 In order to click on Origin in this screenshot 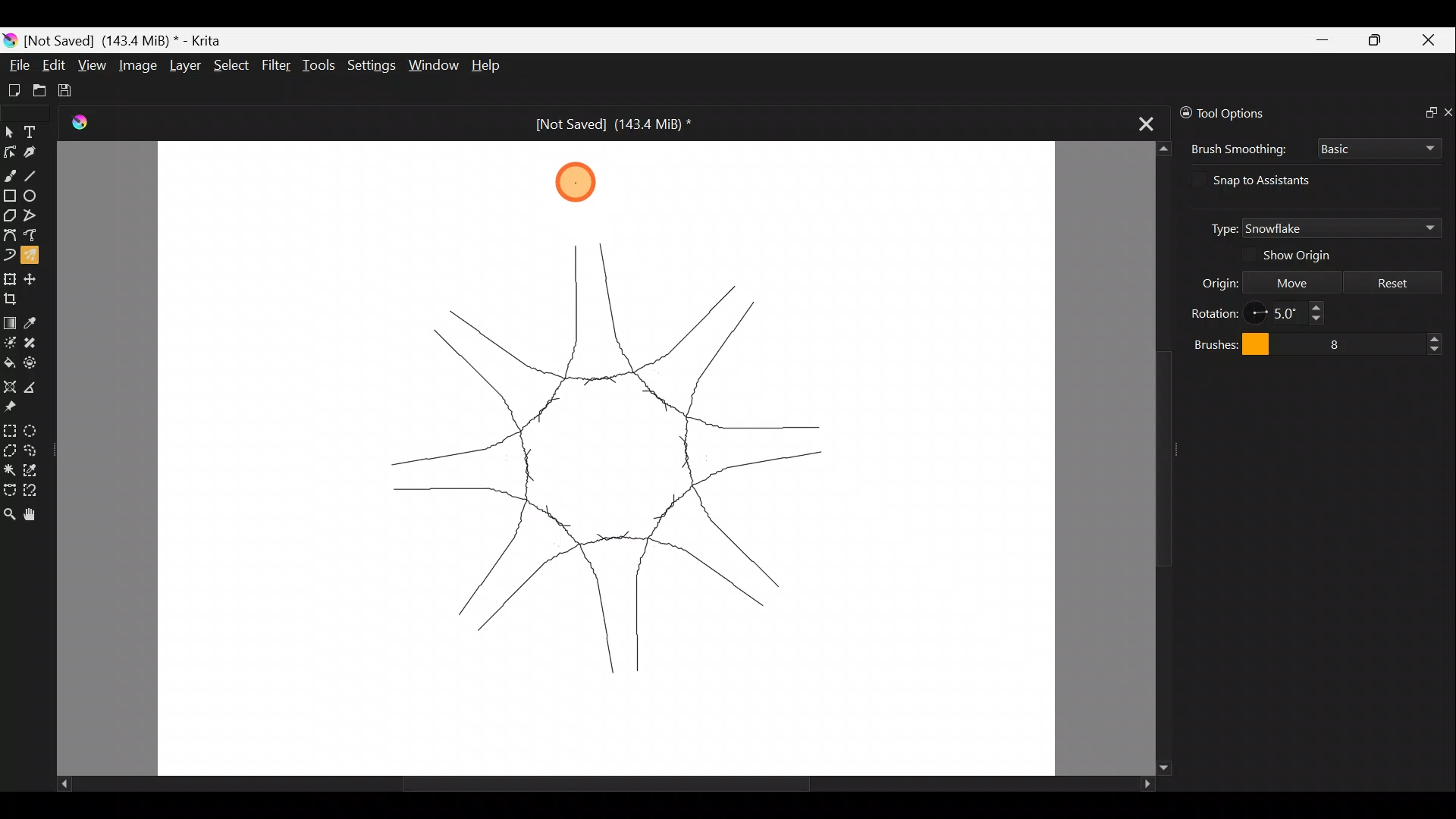, I will do `click(1206, 281)`.